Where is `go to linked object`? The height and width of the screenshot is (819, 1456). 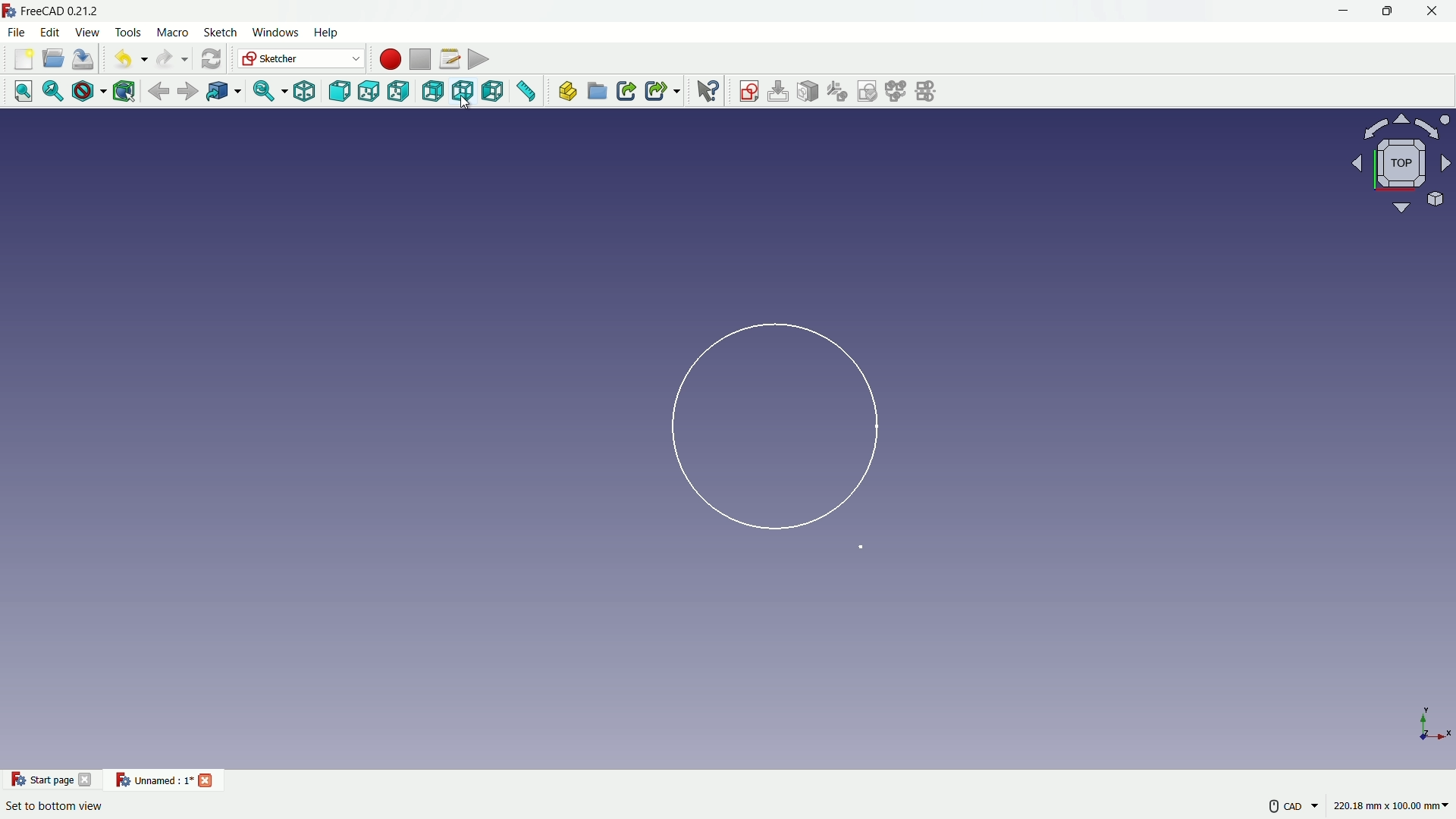 go to linked object is located at coordinates (223, 91).